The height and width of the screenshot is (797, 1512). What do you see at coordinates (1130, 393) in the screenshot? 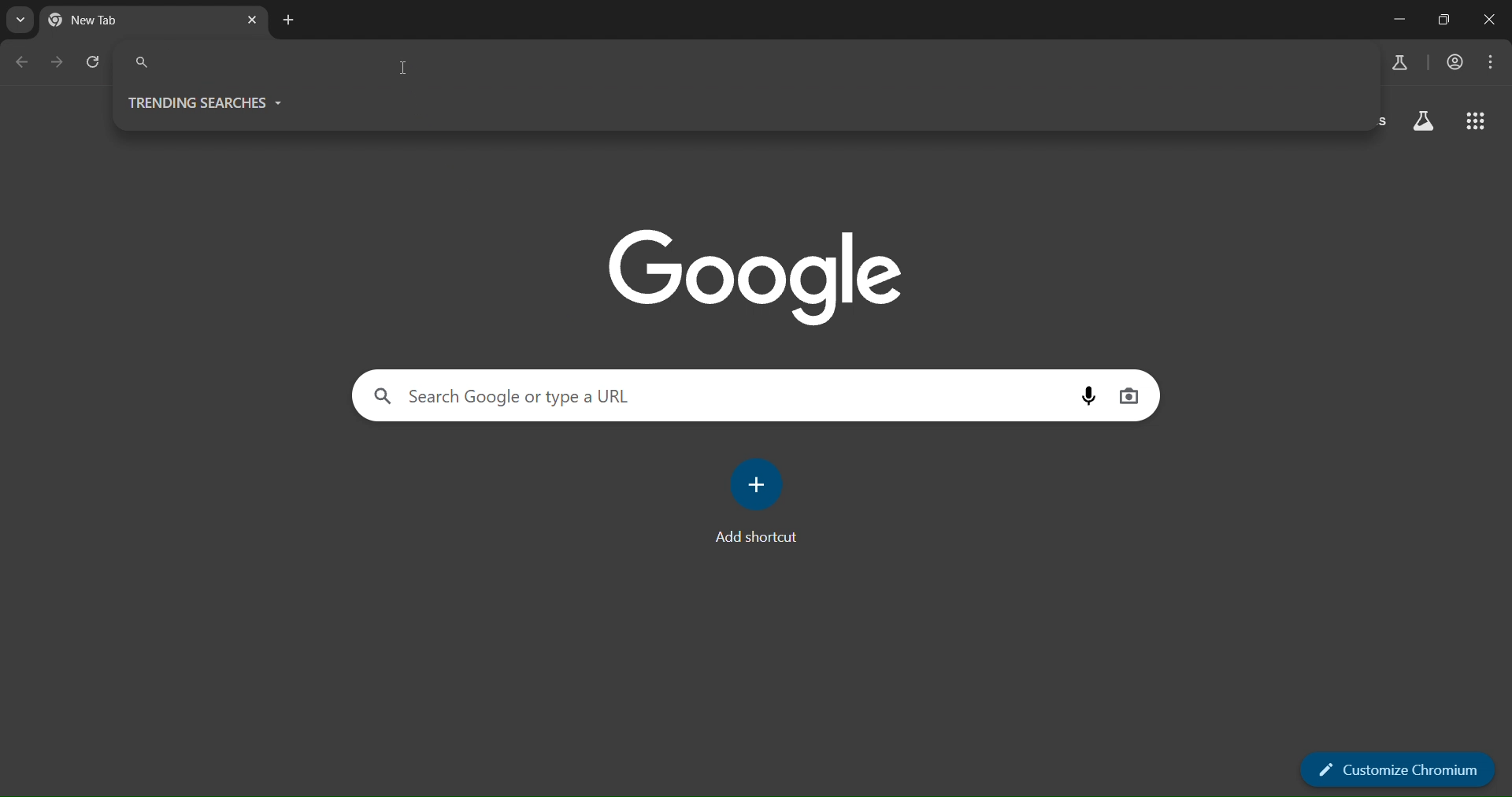
I see `image search` at bounding box center [1130, 393].